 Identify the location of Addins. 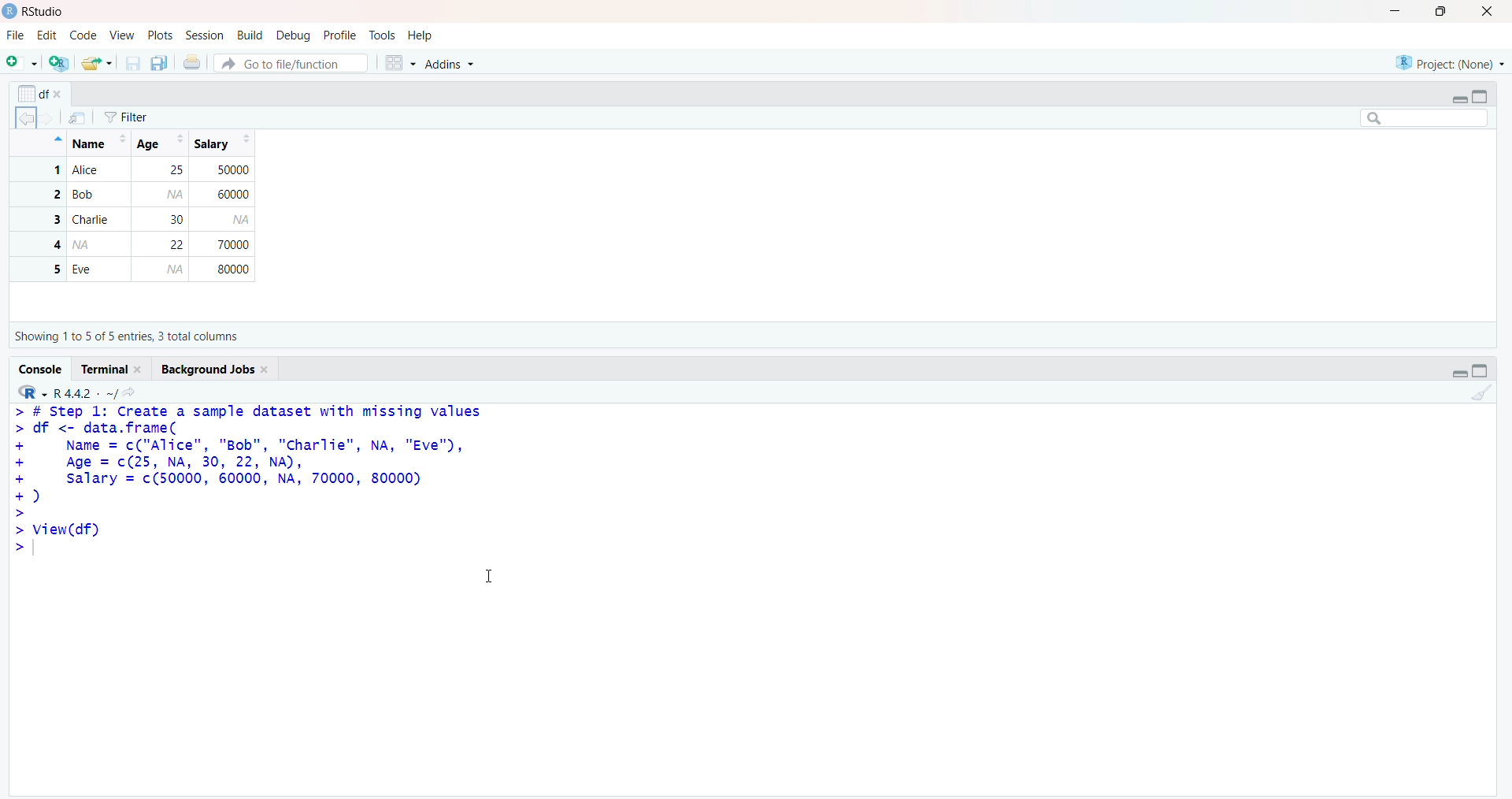
(458, 61).